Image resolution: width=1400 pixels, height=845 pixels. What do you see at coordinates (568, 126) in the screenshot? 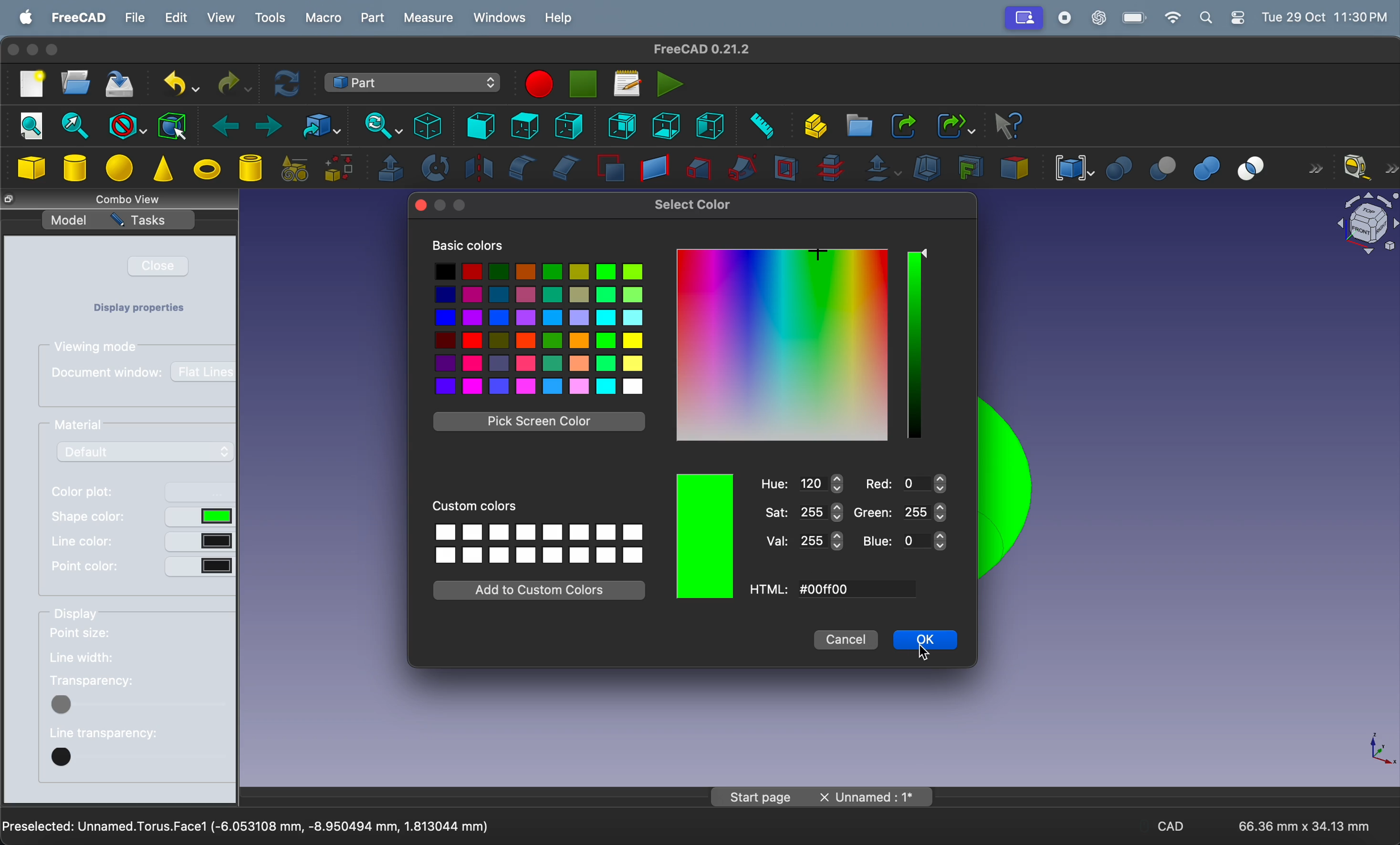
I see `right view` at bounding box center [568, 126].